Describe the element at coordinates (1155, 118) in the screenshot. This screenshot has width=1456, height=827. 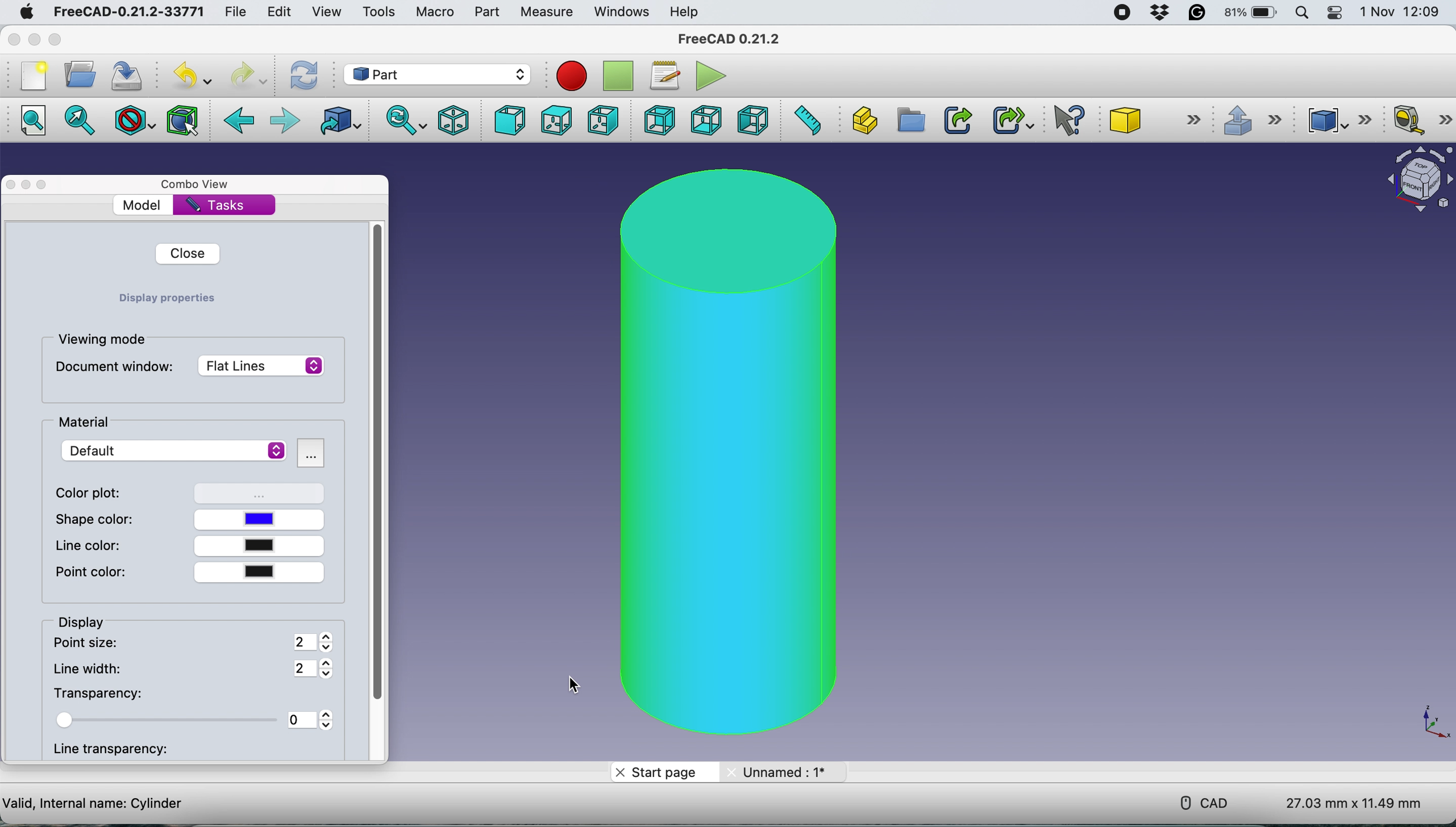
I see `cube` at that location.